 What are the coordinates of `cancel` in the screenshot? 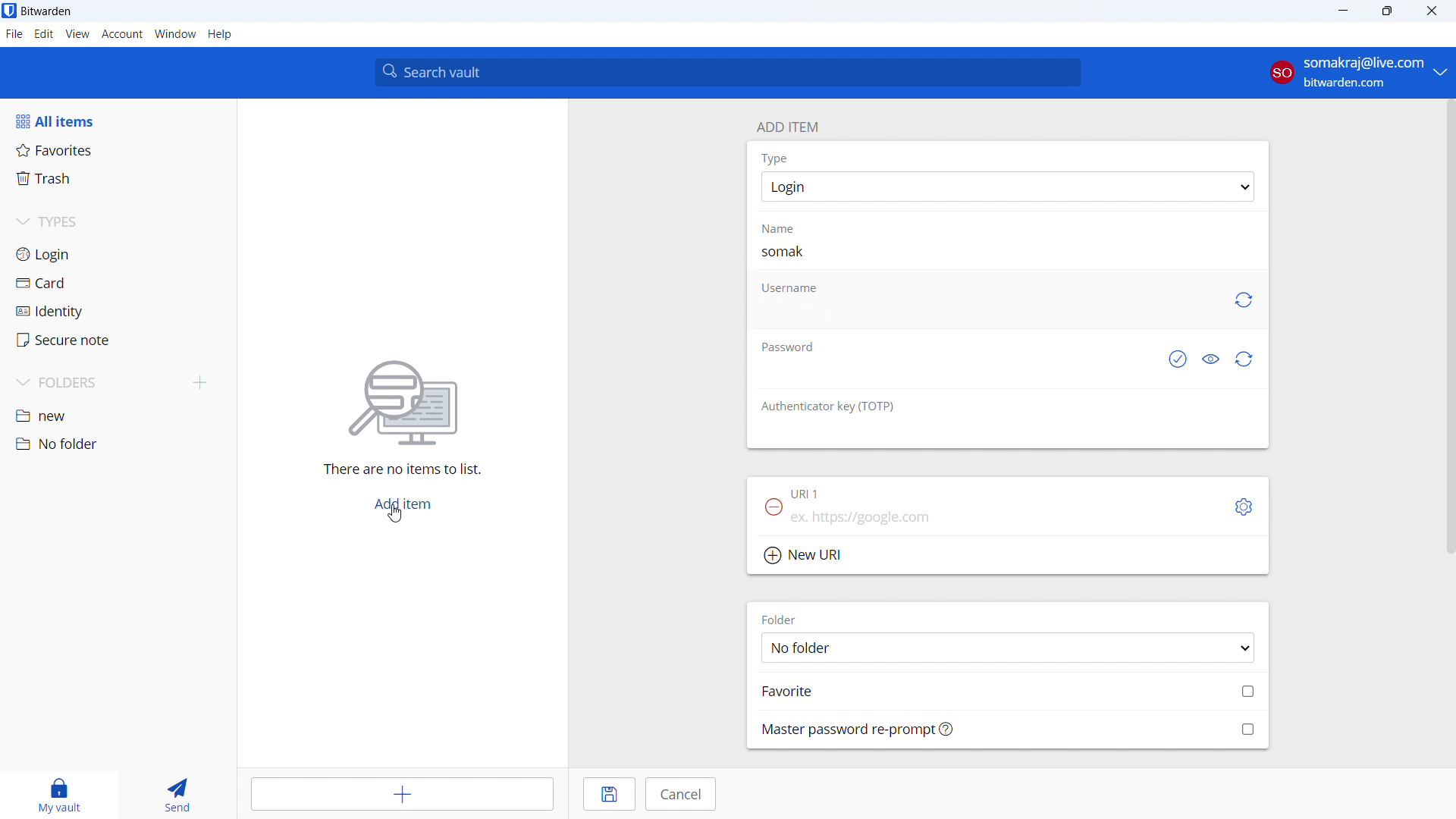 It's located at (680, 794).